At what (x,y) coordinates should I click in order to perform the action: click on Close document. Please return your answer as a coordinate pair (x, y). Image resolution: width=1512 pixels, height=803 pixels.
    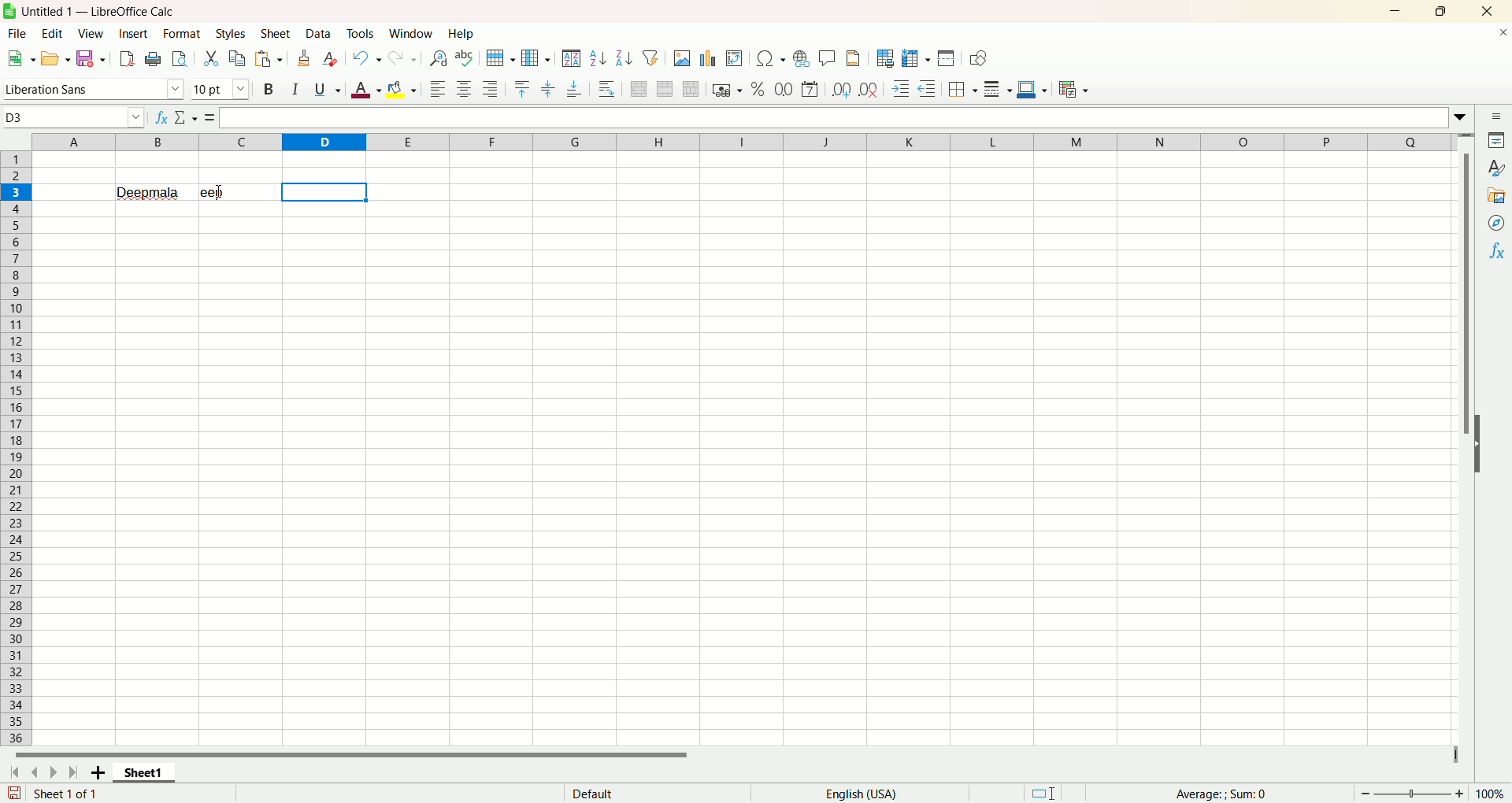
    Looking at the image, I should click on (1498, 33).